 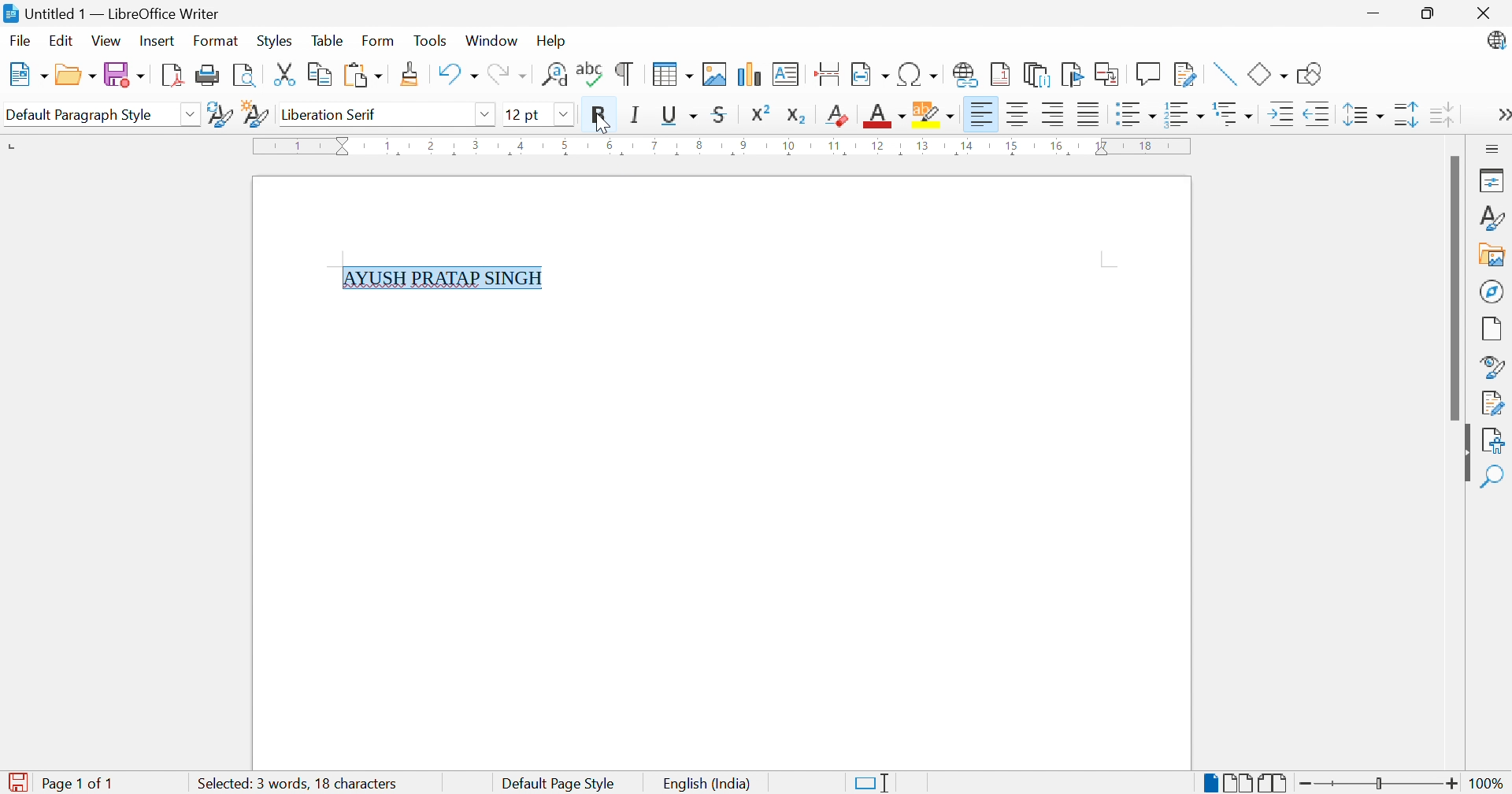 What do you see at coordinates (431, 39) in the screenshot?
I see `Tools` at bounding box center [431, 39].